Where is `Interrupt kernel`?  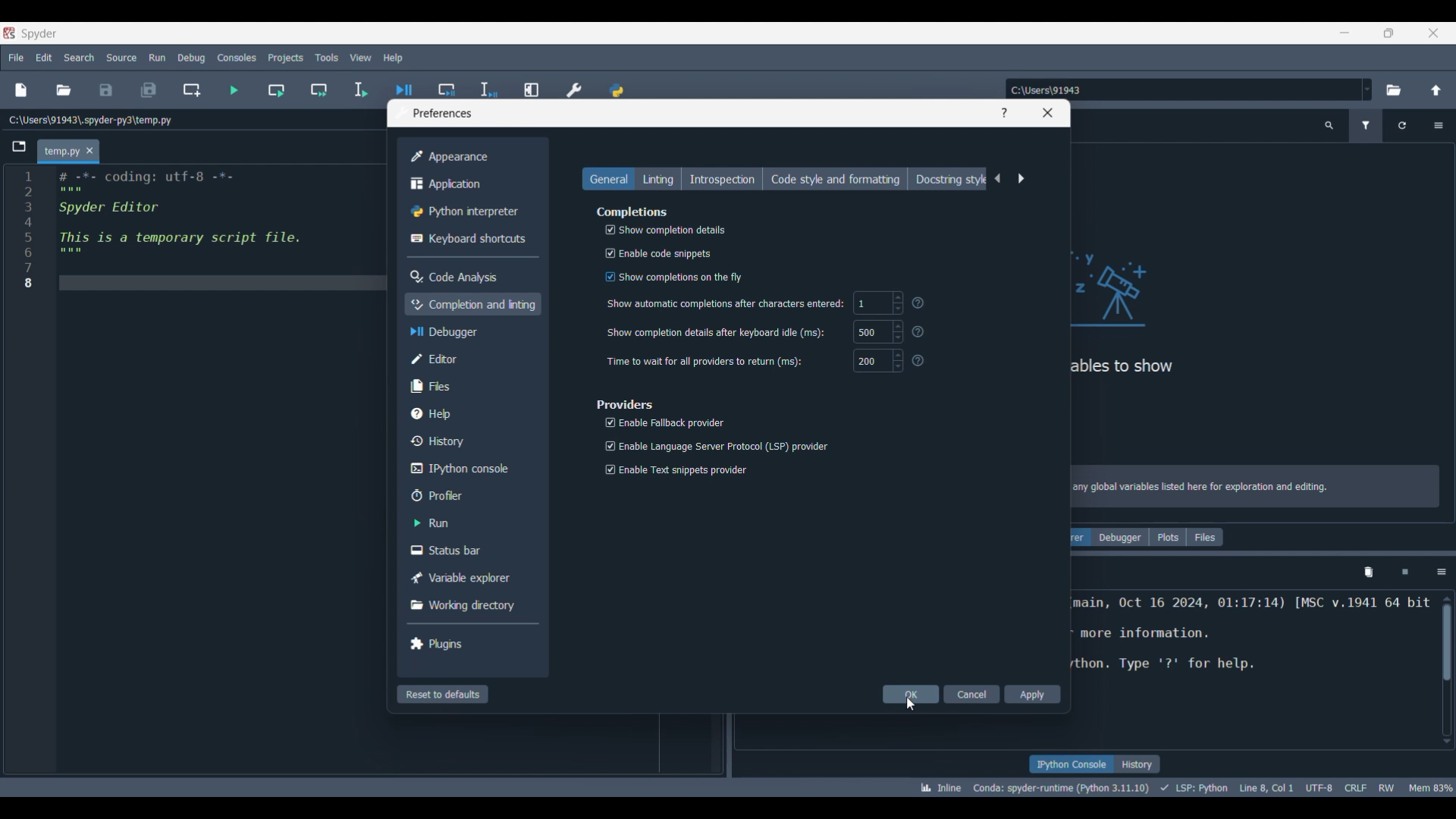 Interrupt kernel is located at coordinates (1405, 573).